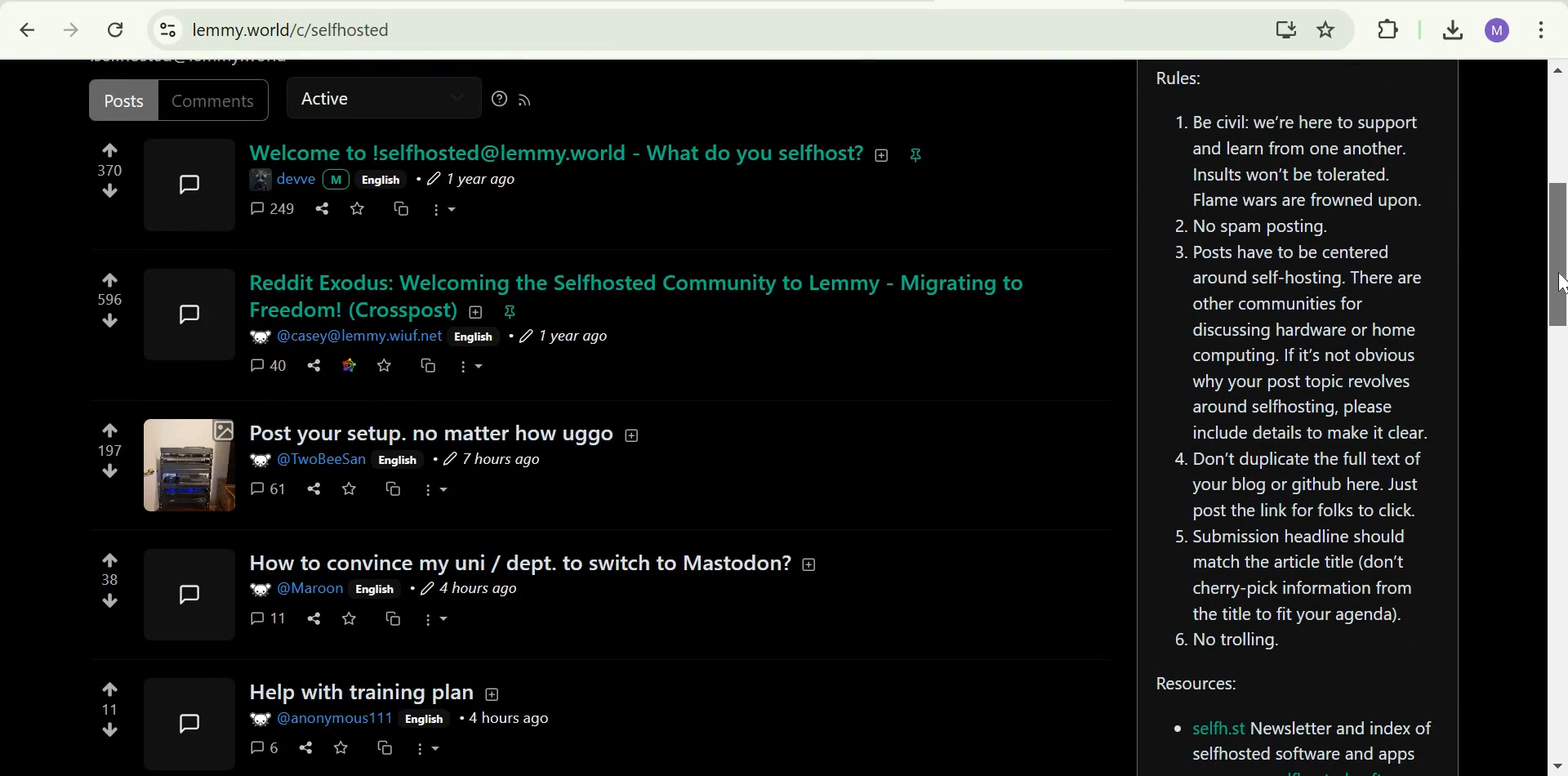 Image resolution: width=1568 pixels, height=776 pixels. I want to click on english, so click(381, 179).